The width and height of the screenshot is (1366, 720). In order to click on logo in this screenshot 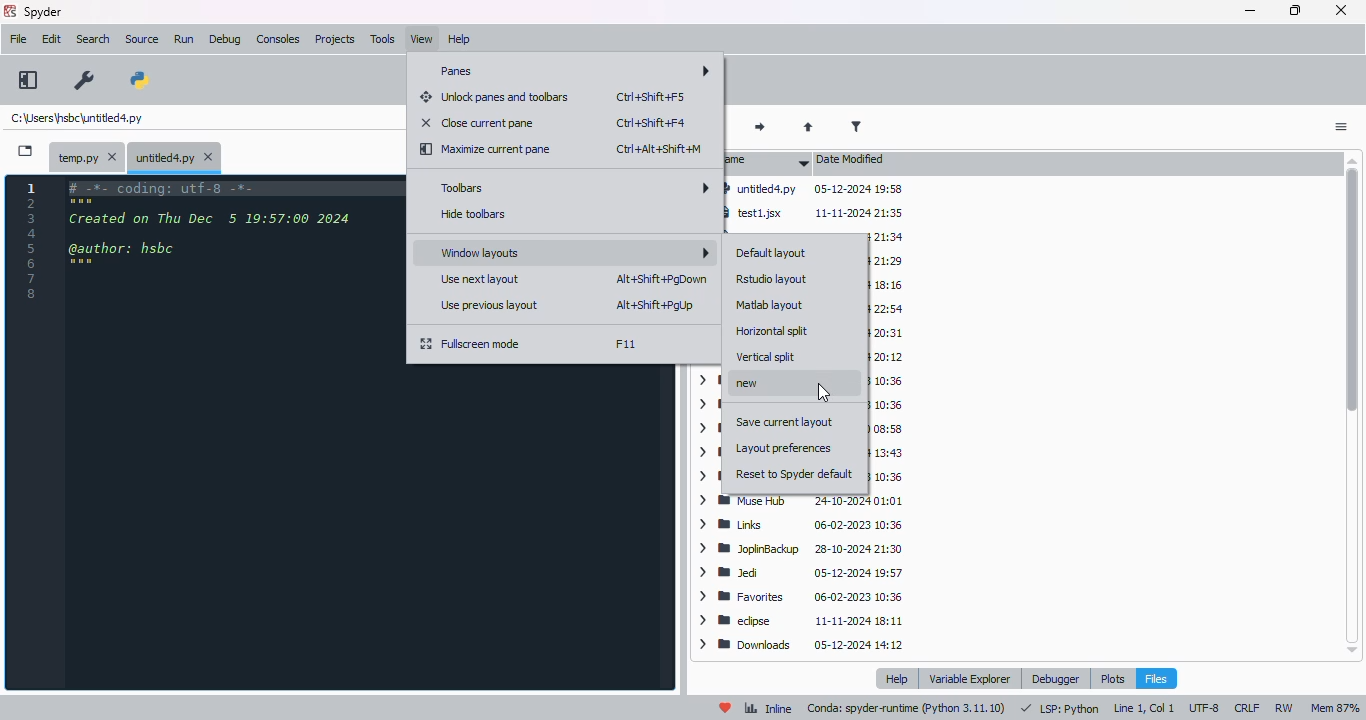, I will do `click(10, 11)`.